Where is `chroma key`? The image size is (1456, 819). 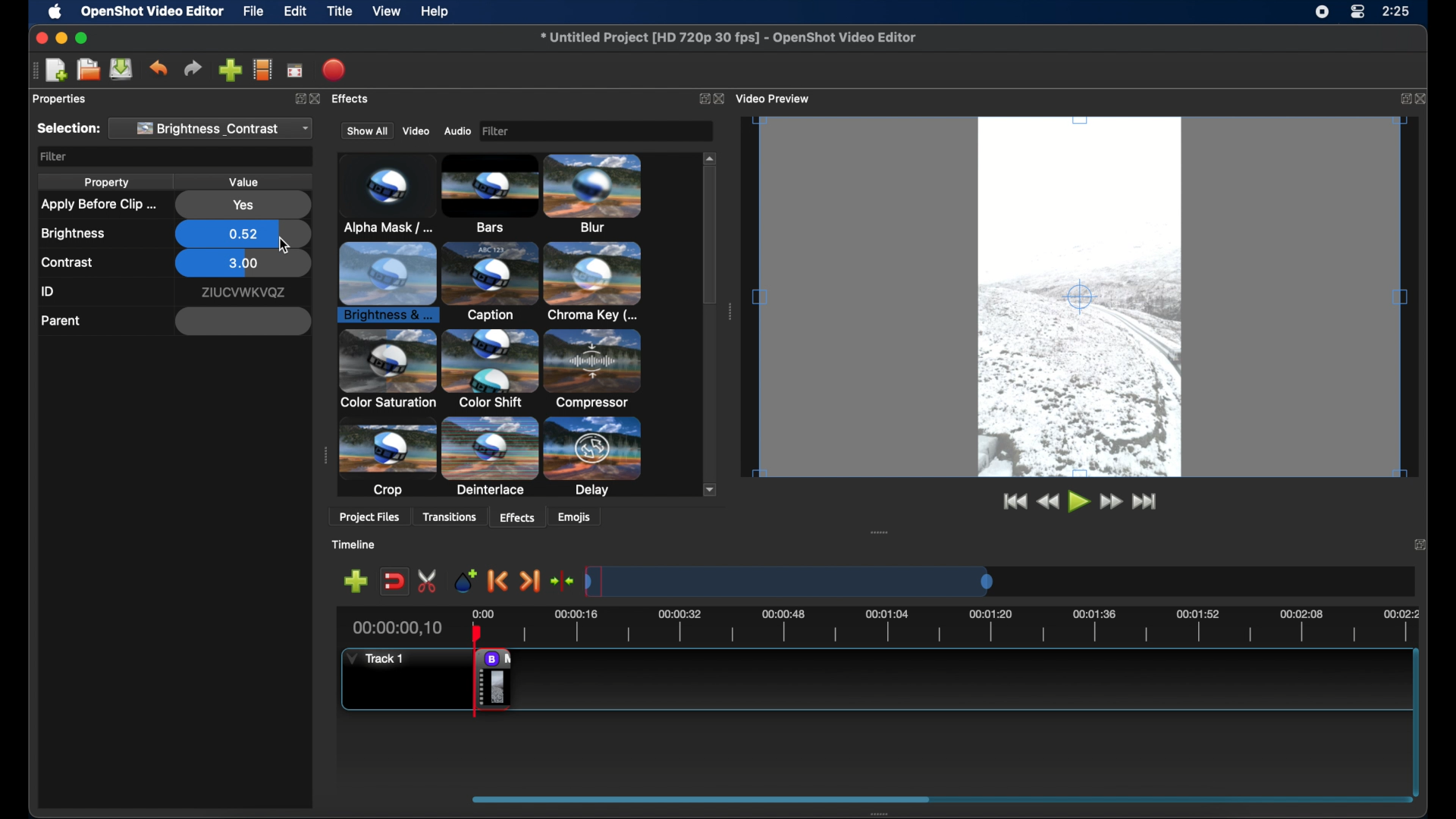
chroma key is located at coordinates (388, 282).